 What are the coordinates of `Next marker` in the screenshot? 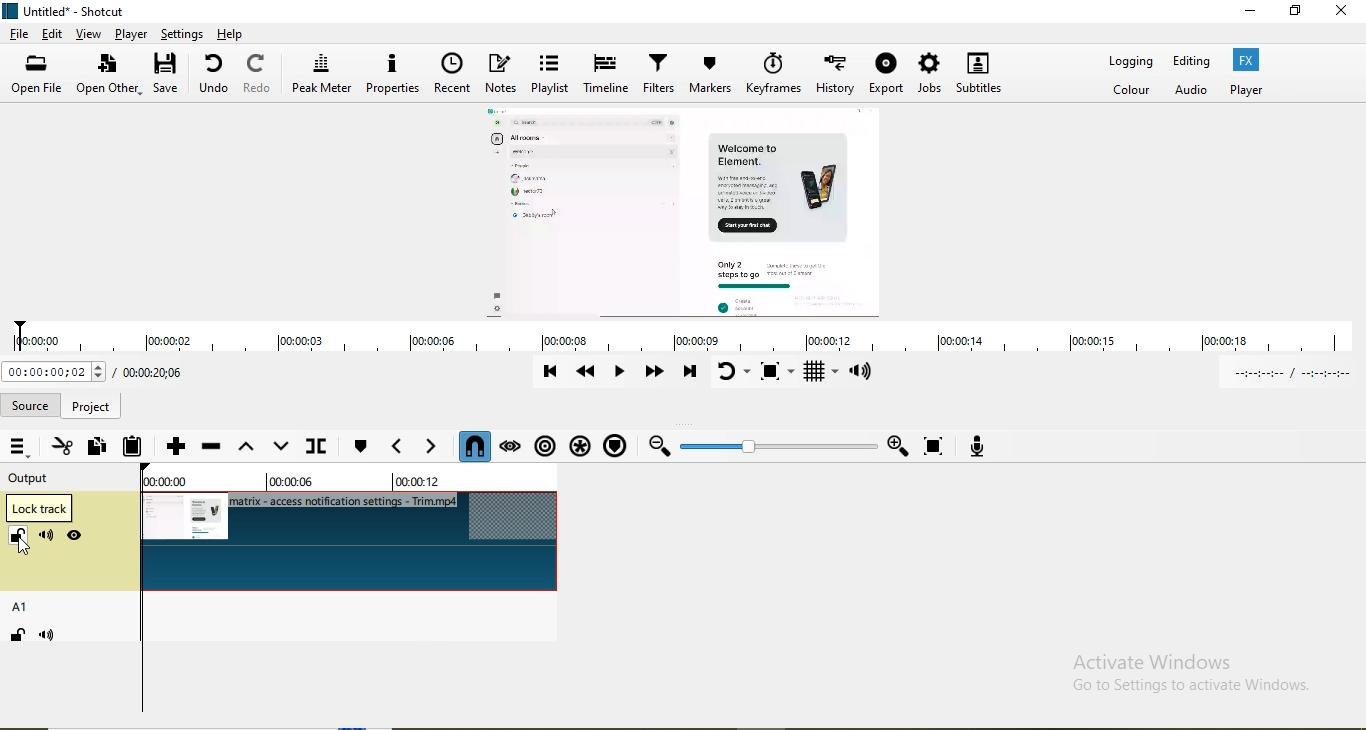 It's located at (431, 447).